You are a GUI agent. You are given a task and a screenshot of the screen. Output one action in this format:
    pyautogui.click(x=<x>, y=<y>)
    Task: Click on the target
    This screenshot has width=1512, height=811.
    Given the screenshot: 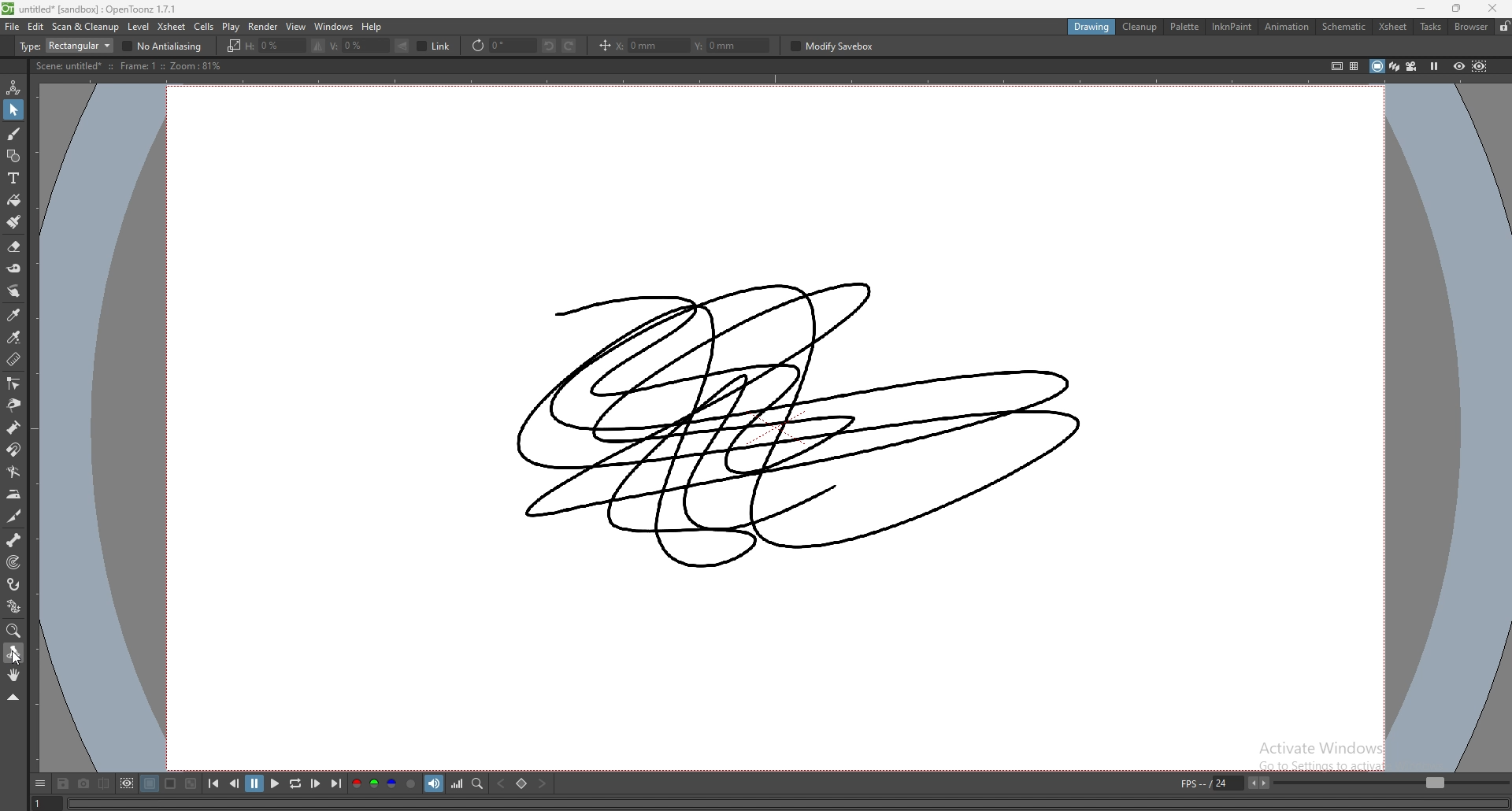 What is the action you would take?
    pyautogui.click(x=12, y=562)
    